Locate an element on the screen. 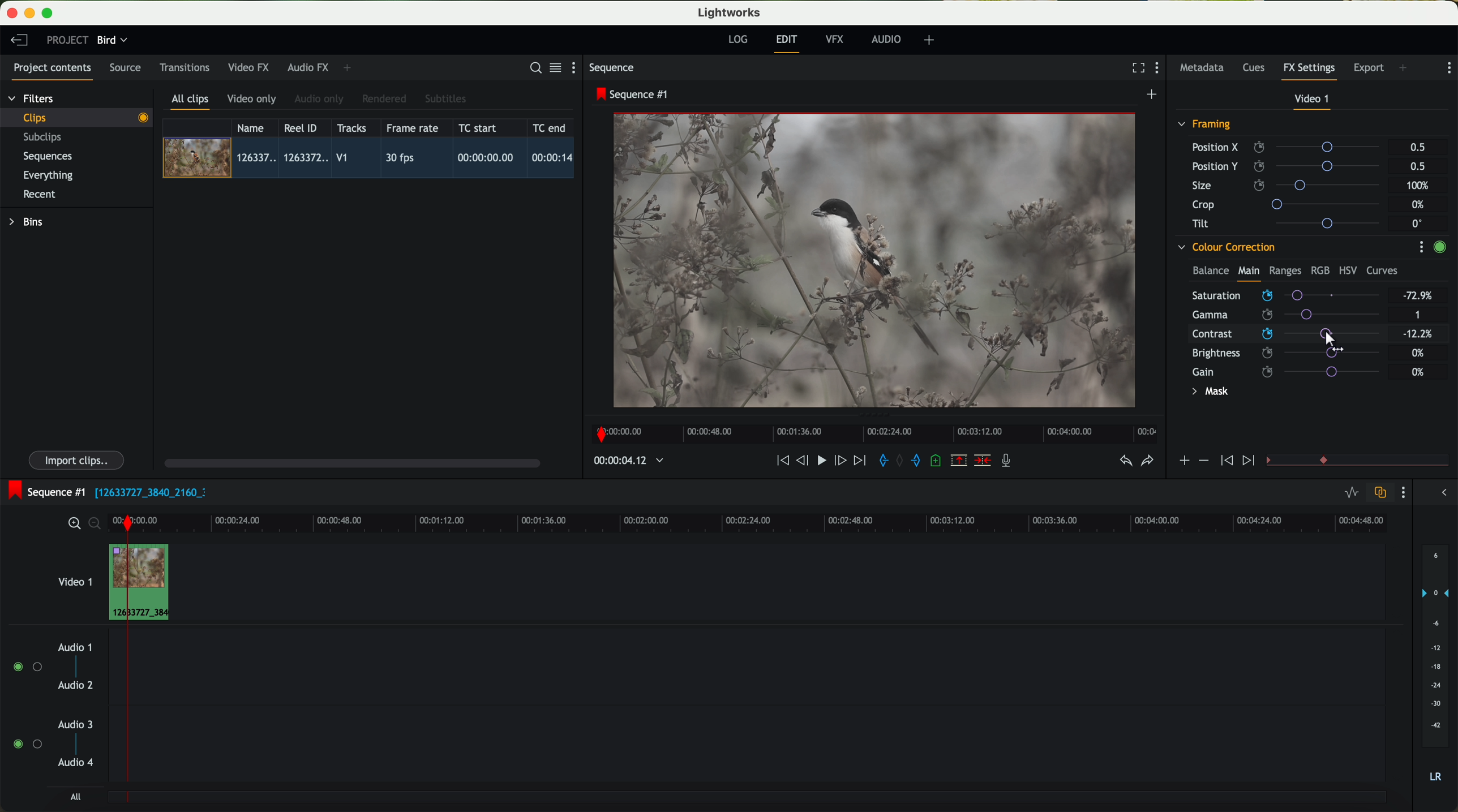 This screenshot has height=812, width=1458. bins is located at coordinates (28, 222).